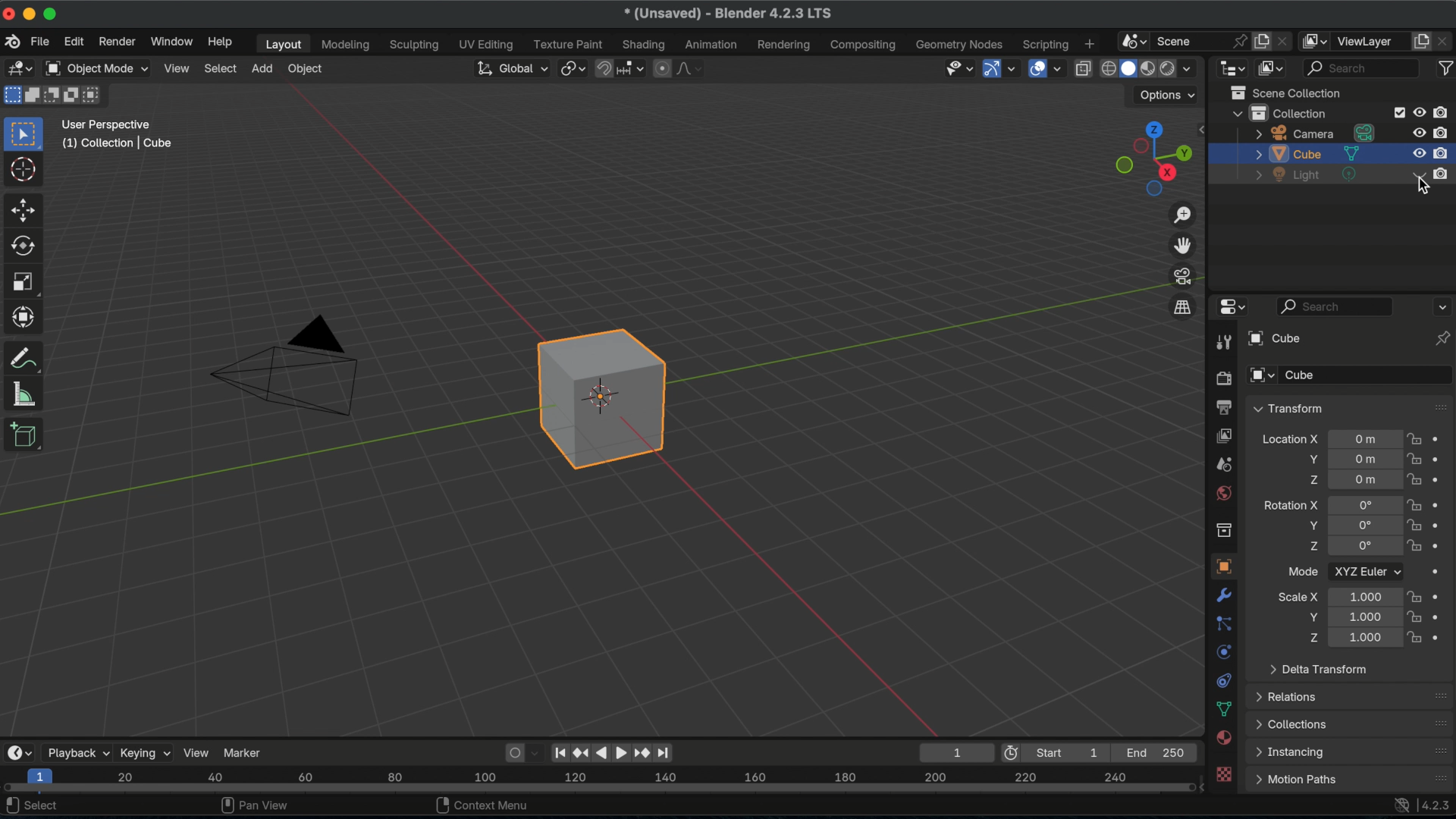  I want to click on animate property, so click(1442, 478).